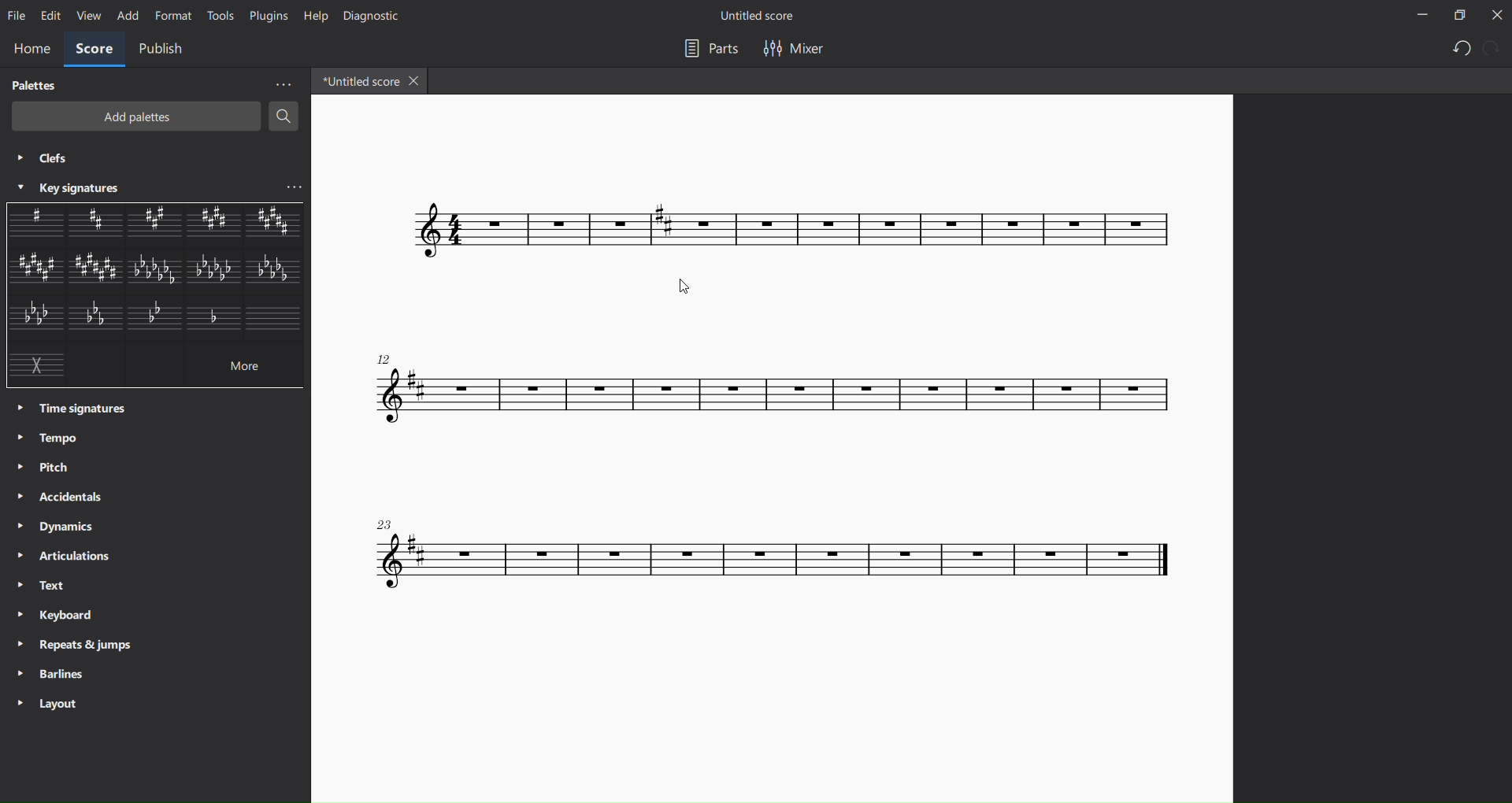 The width and height of the screenshot is (1512, 803). I want to click on close, so click(1495, 14).